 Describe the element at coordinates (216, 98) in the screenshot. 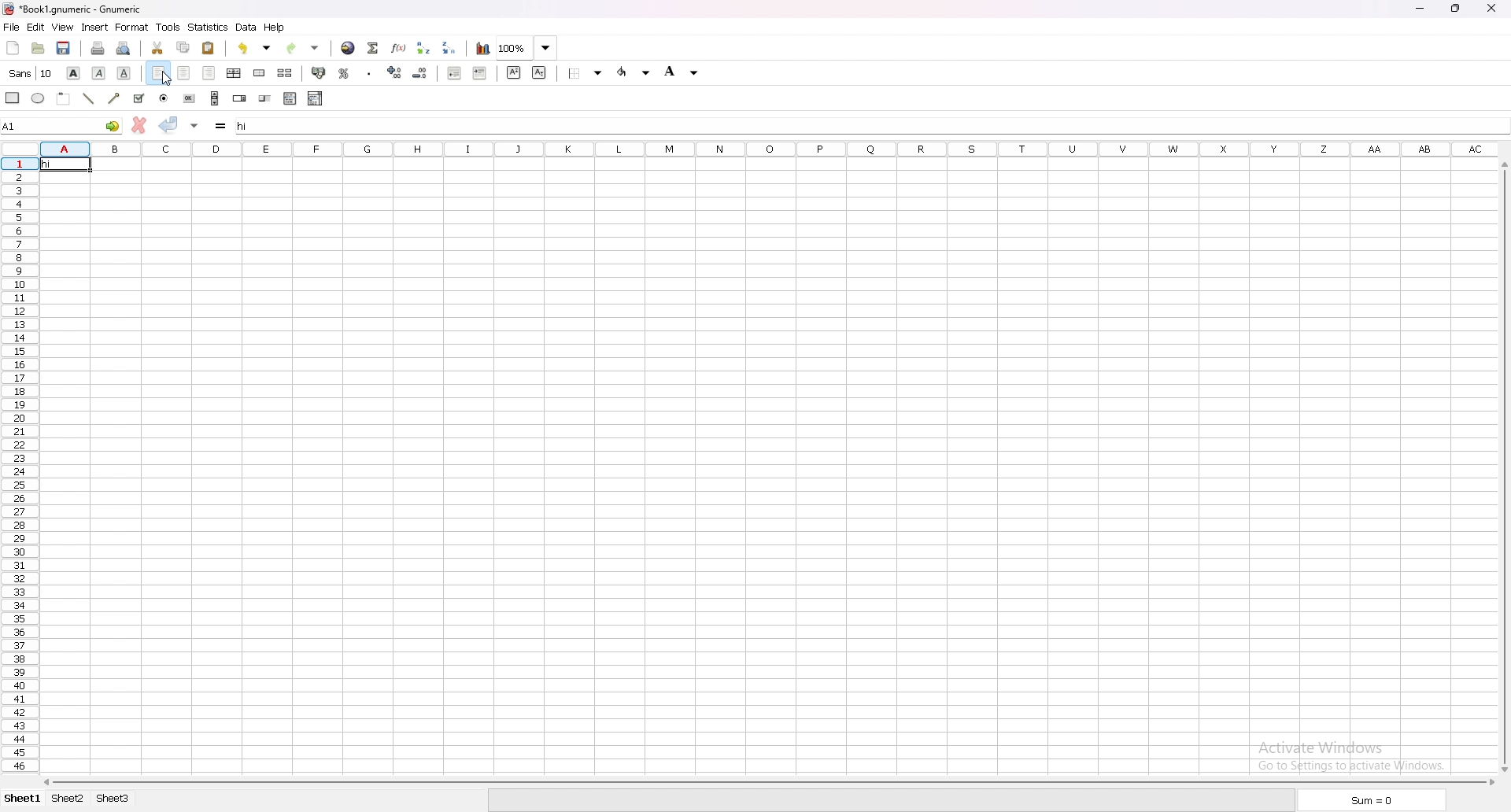

I see `scroll bar` at that location.